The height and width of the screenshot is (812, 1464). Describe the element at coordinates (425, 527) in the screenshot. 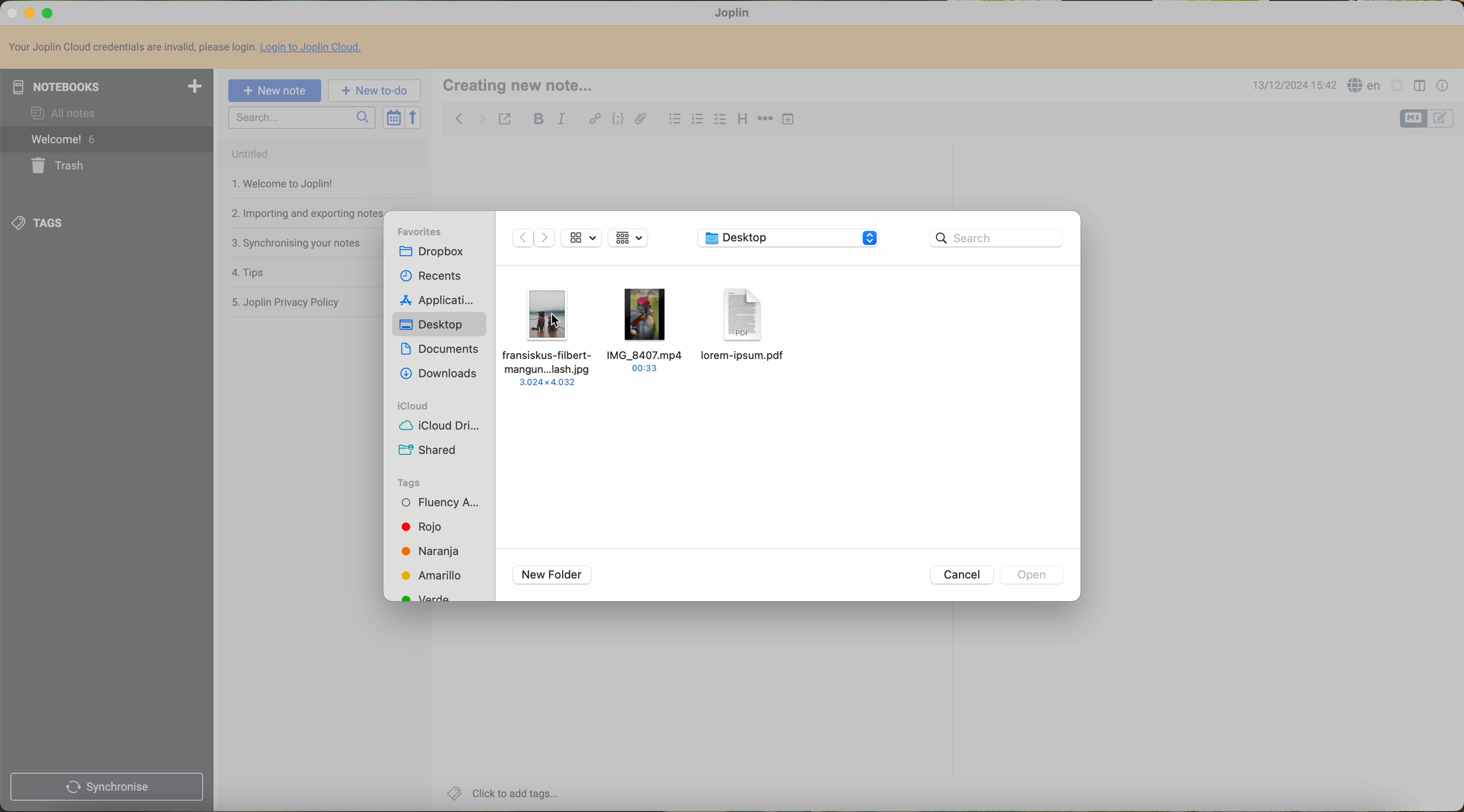

I see `red tag` at that location.